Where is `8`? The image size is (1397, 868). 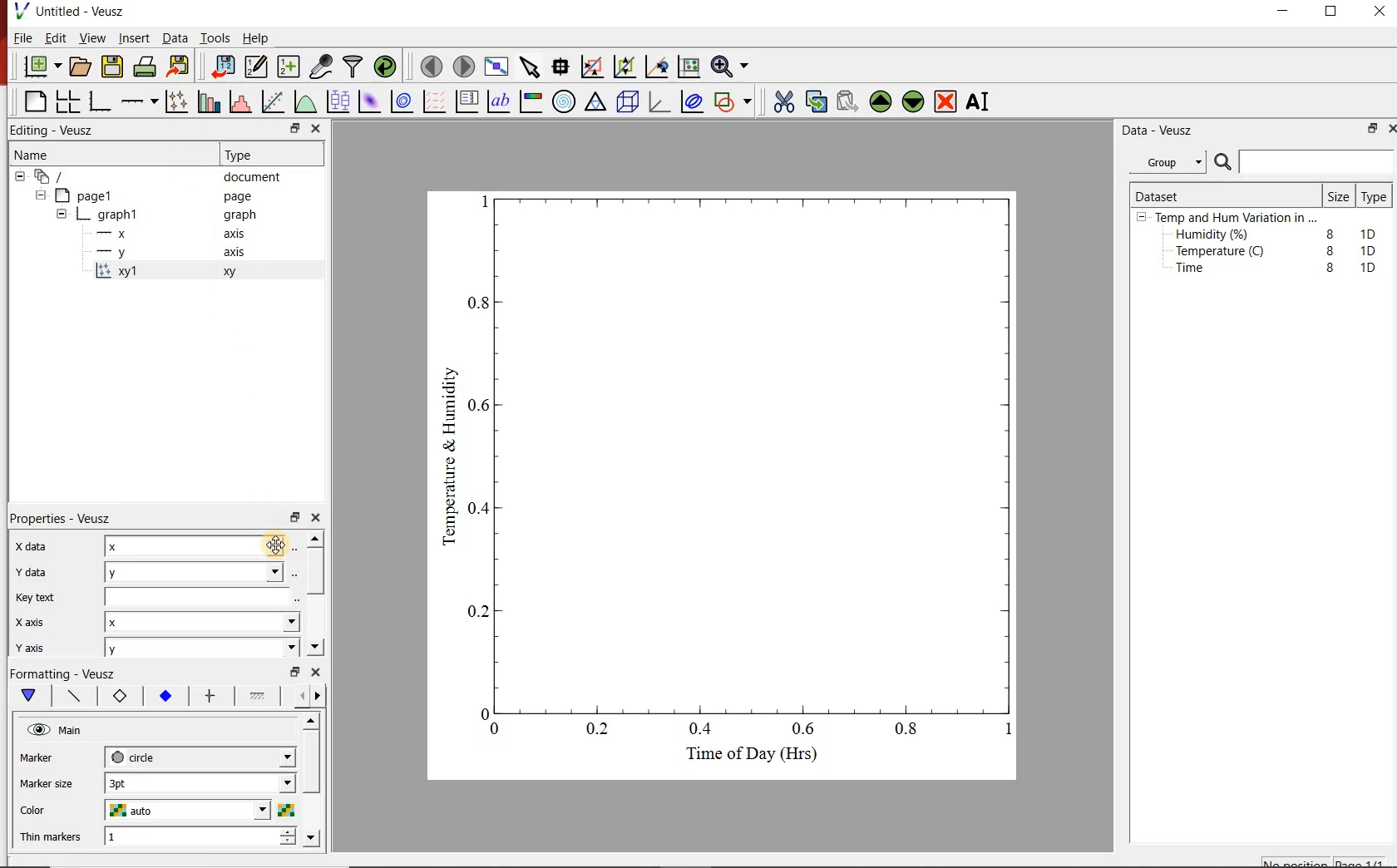 8 is located at coordinates (1327, 231).